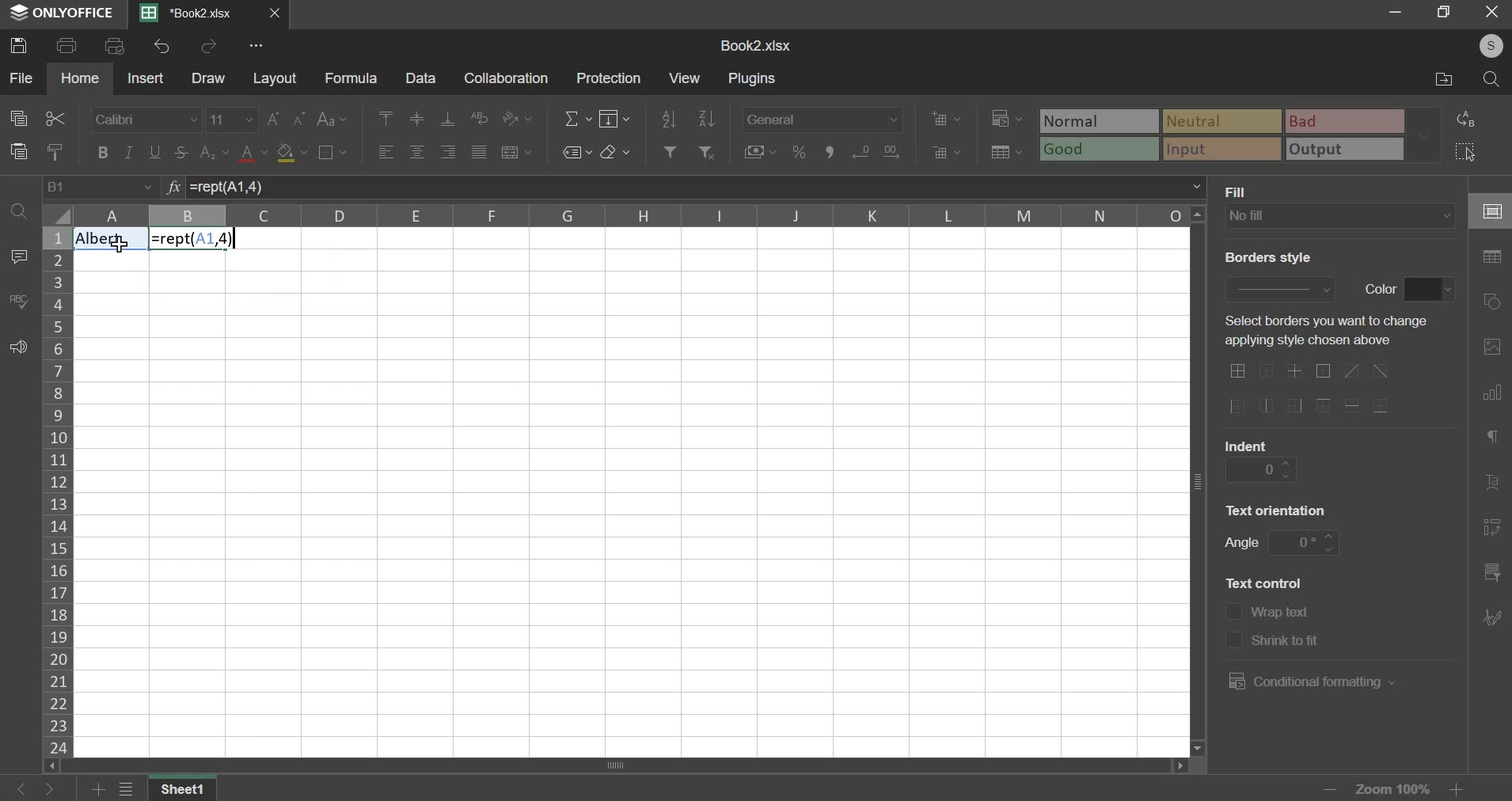 The height and width of the screenshot is (801, 1512). What do you see at coordinates (686, 78) in the screenshot?
I see `view` at bounding box center [686, 78].